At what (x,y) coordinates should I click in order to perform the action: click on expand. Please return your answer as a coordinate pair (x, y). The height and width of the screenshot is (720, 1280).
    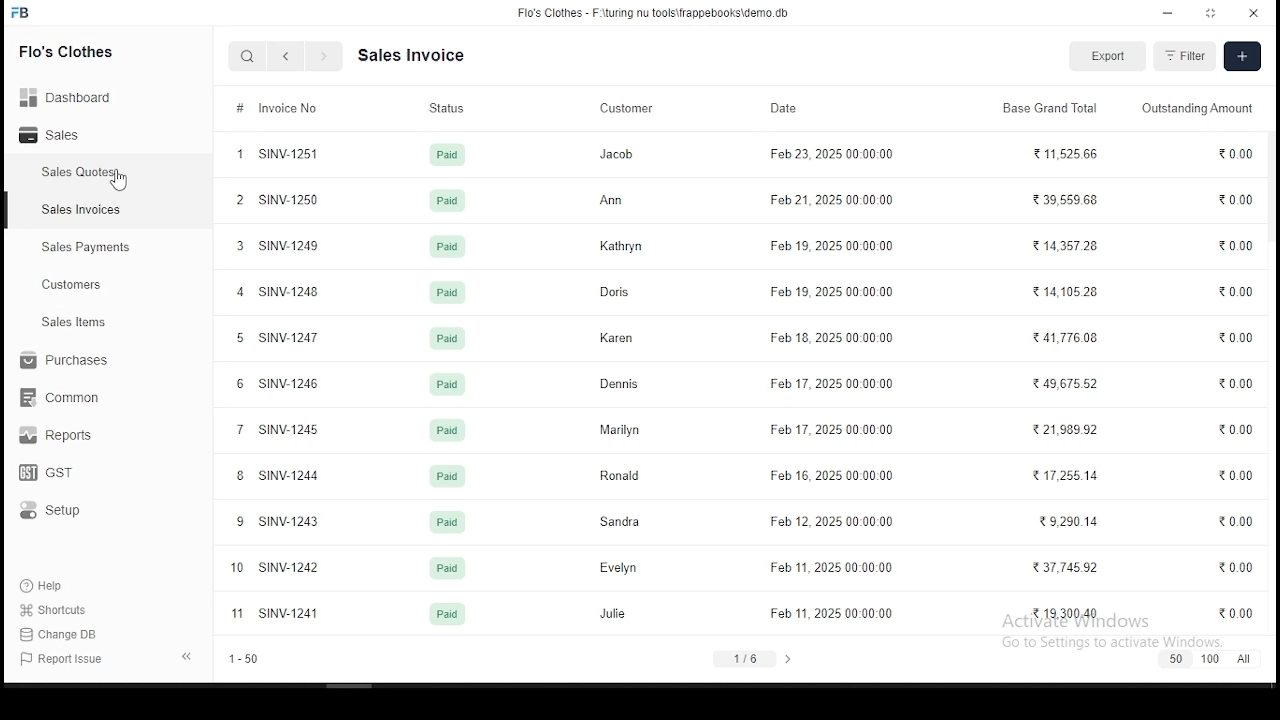
    Looking at the image, I should click on (182, 654).